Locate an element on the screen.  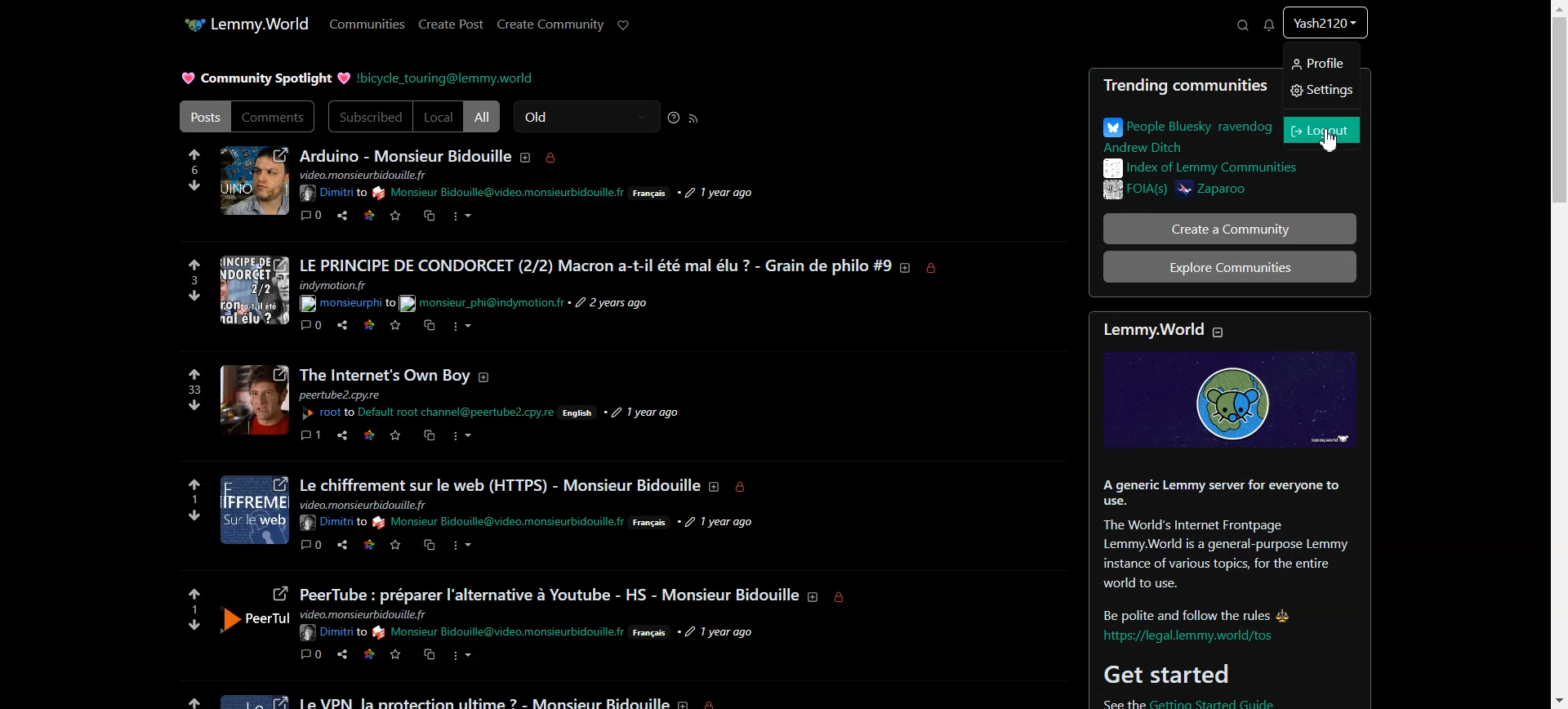
Zaparoo is located at coordinates (1245, 191).